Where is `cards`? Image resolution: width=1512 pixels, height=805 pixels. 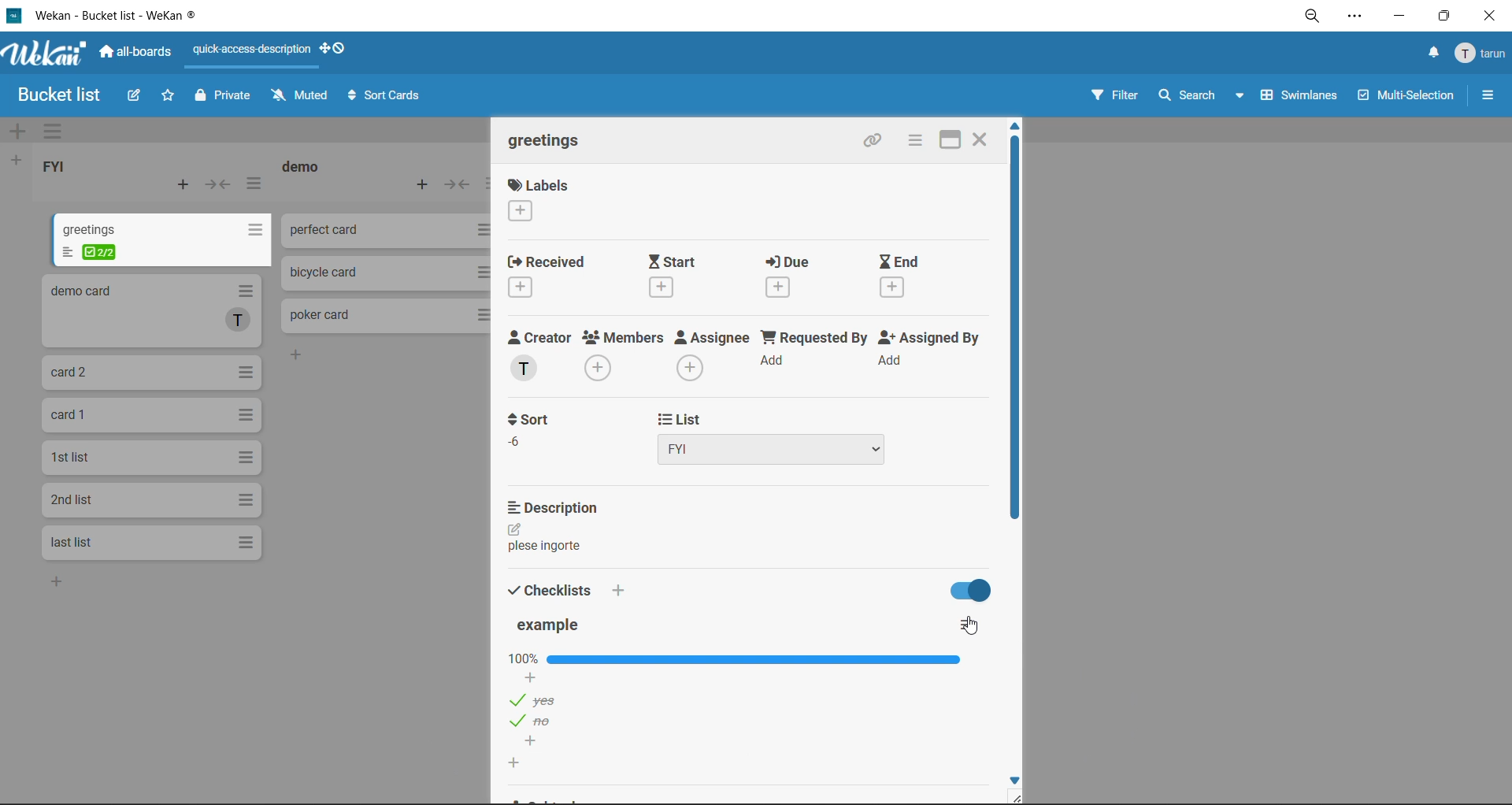
cards is located at coordinates (150, 501).